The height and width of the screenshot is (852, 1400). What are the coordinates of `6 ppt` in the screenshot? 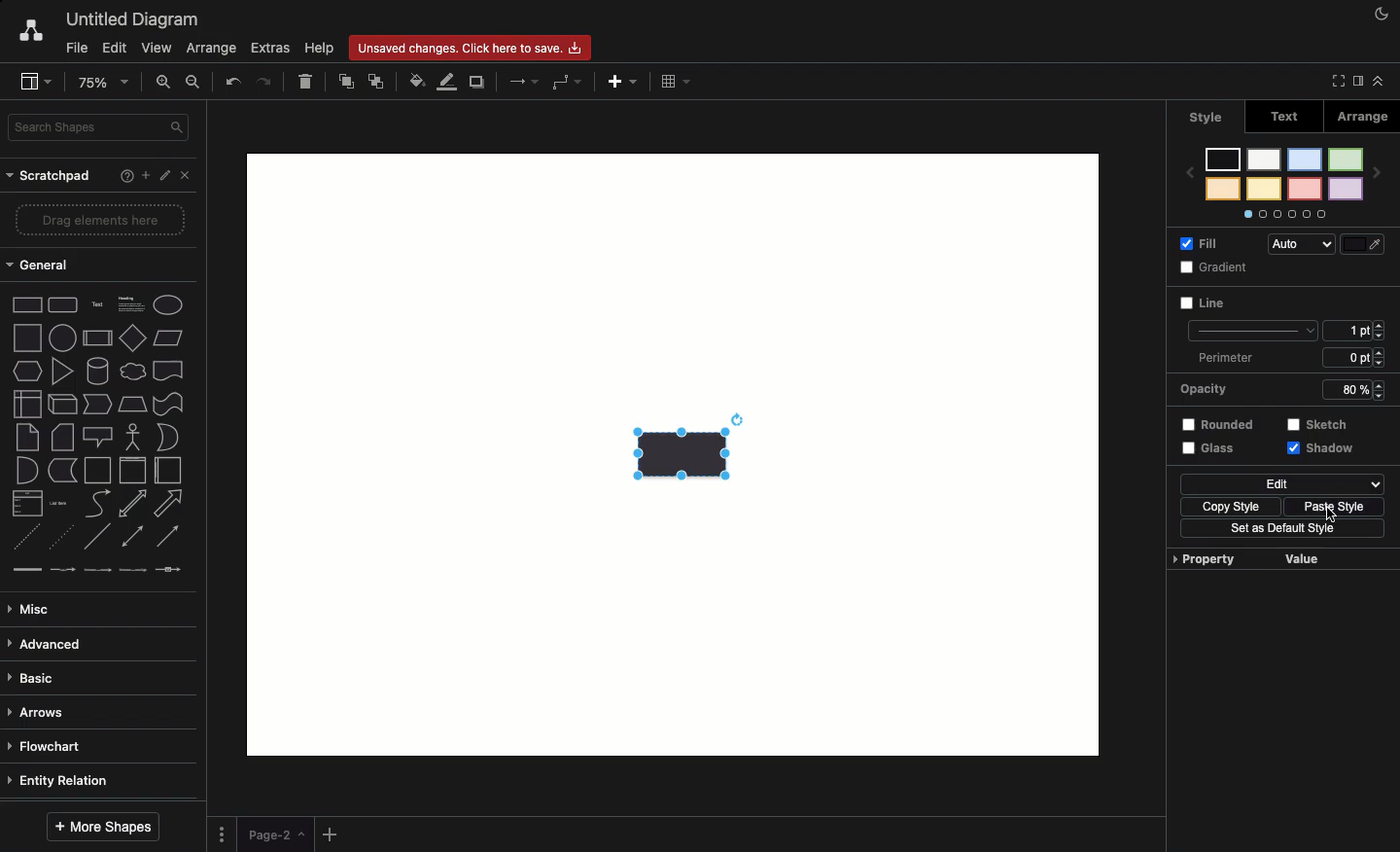 It's located at (1359, 360).